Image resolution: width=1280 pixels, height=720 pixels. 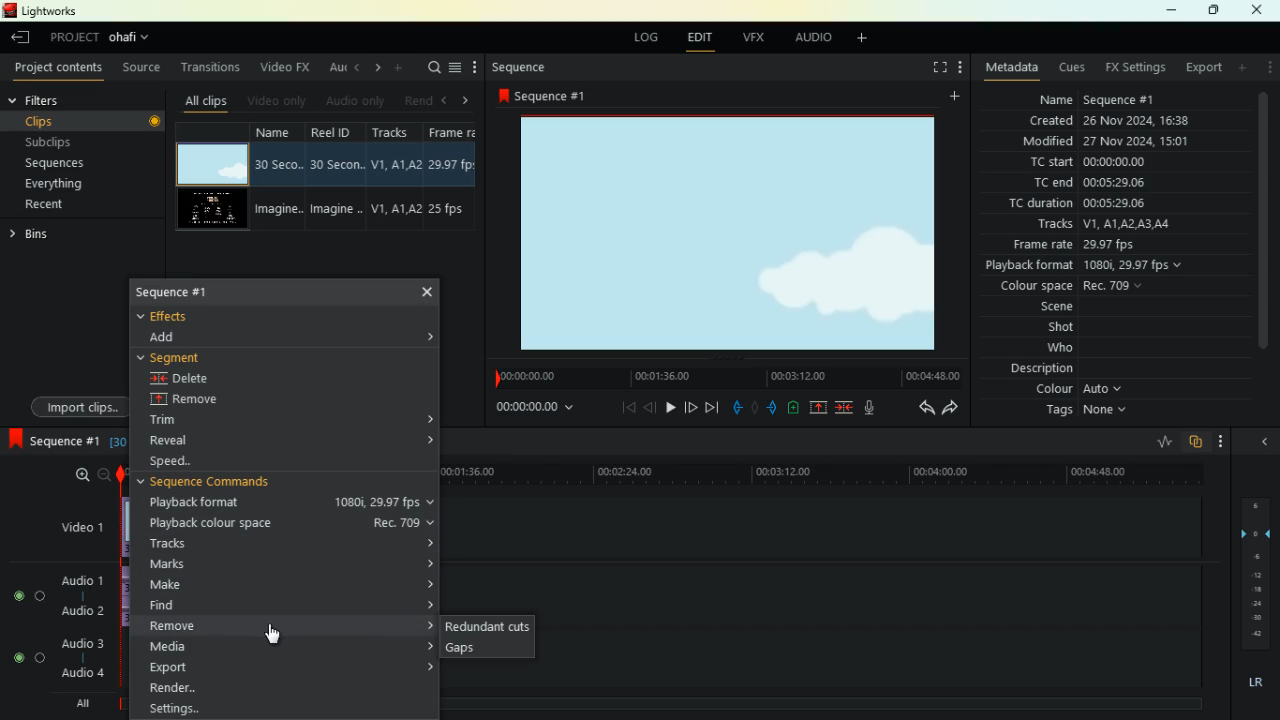 What do you see at coordinates (81, 643) in the screenshot?
I see `audio 3` at bounding box center [81, 643].